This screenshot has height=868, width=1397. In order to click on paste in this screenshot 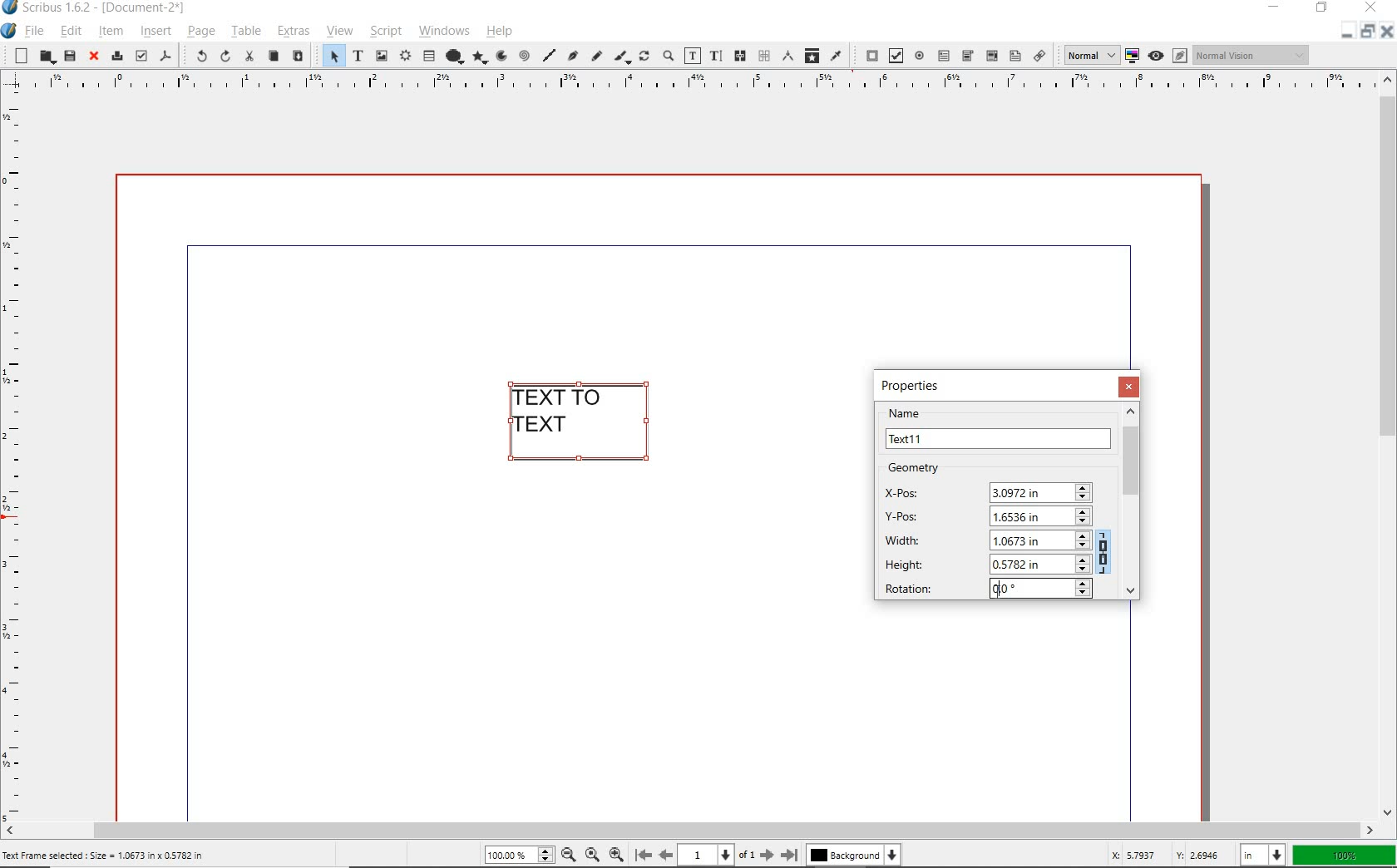, I will do `click(298, 56)`.